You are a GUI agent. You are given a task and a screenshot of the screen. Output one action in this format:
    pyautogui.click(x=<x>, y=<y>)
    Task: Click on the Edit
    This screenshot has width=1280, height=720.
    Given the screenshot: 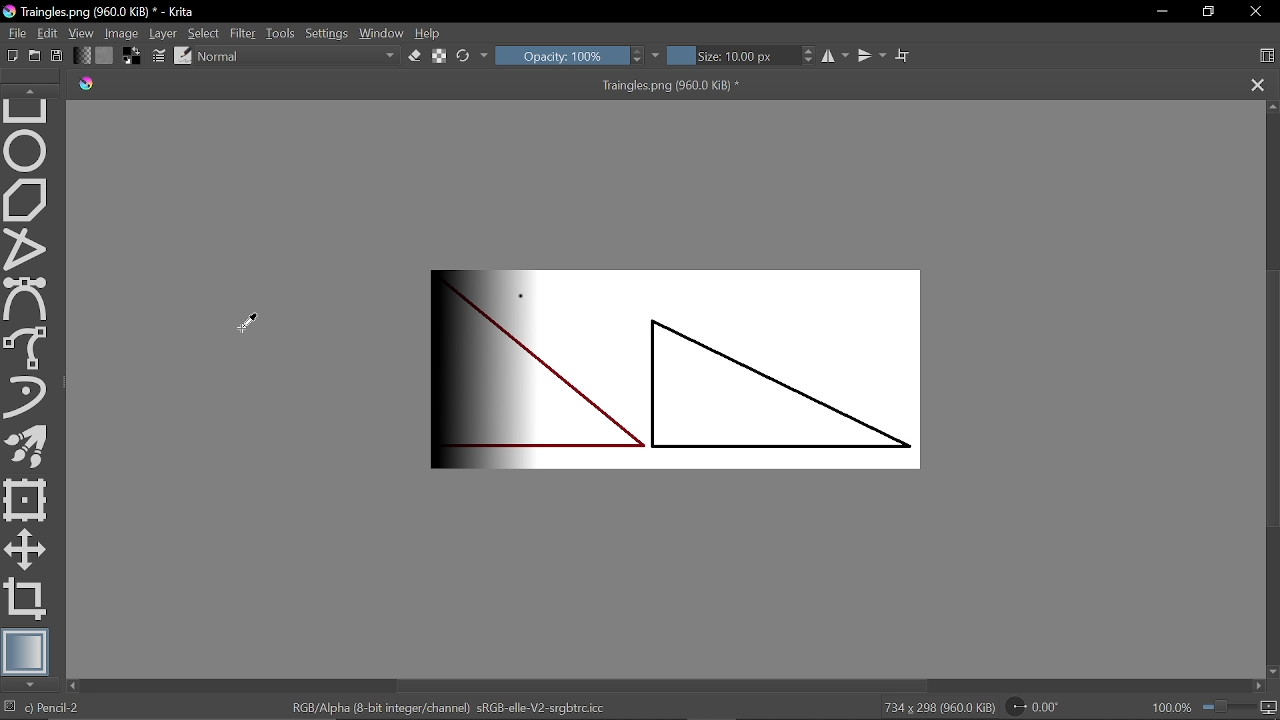 What is the action you would take?
    pyautogui.click(x=47, y=32)
    